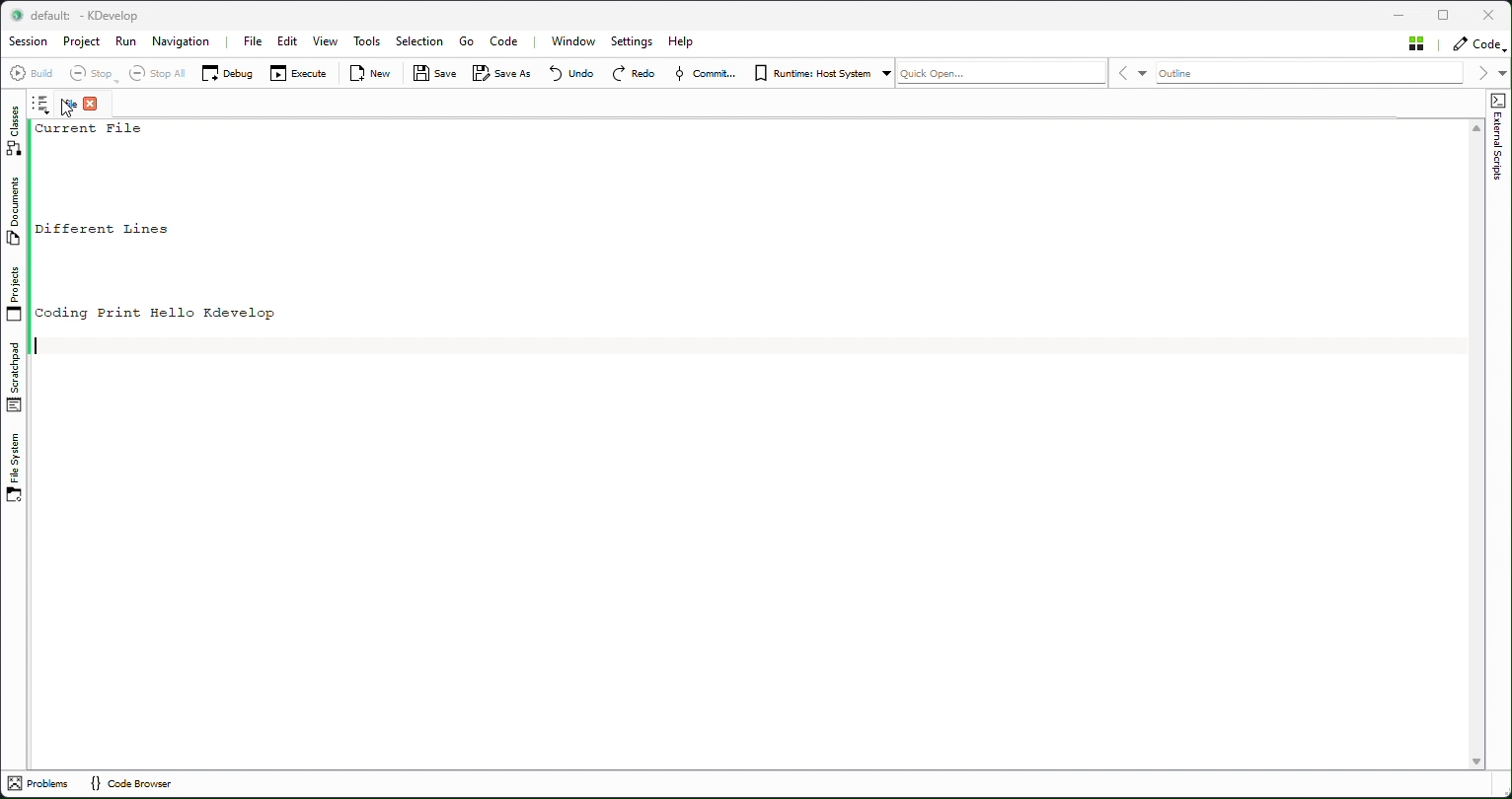  Describe the element at coordinates (368, 40) in the screenshot. I see `Tools` at that location.